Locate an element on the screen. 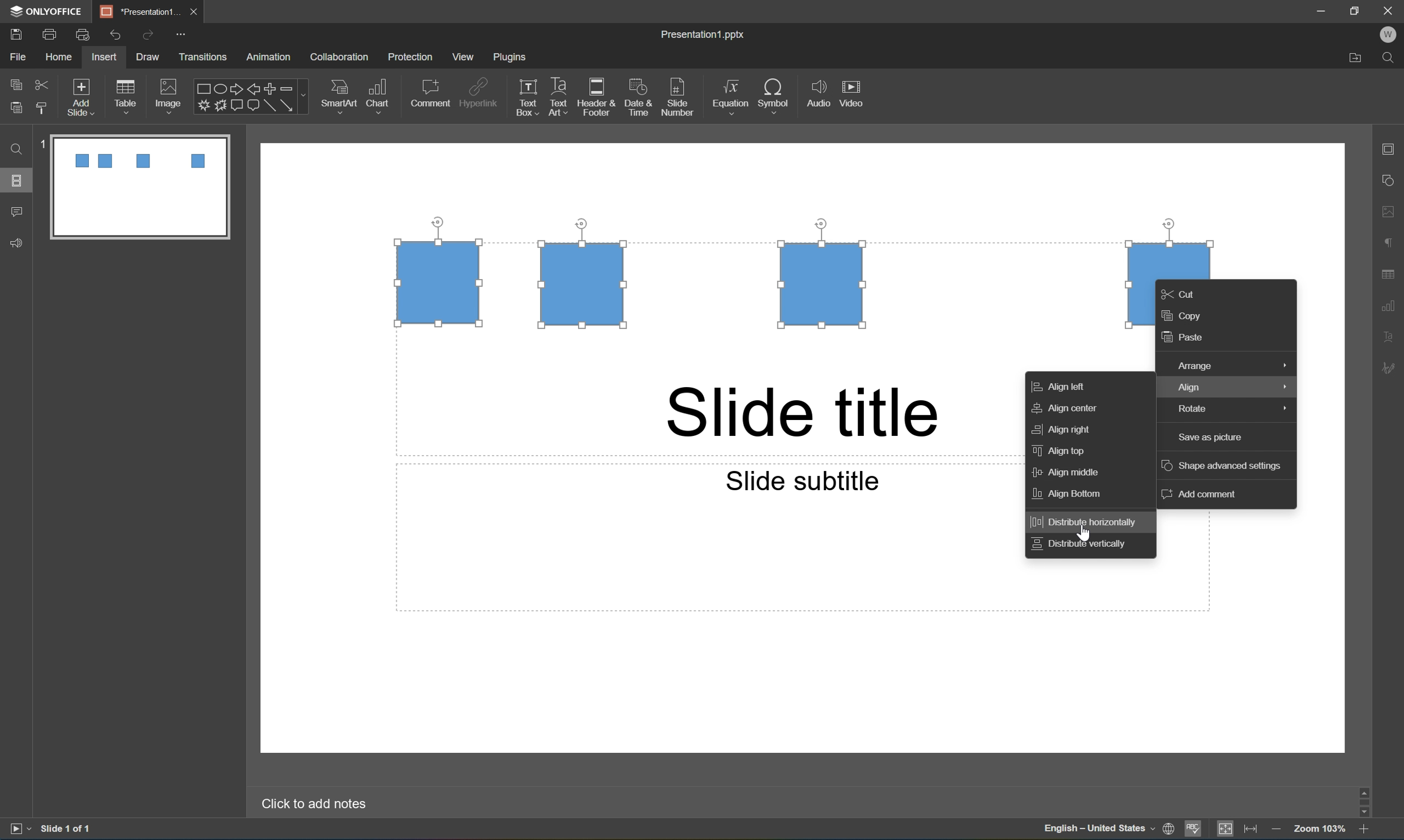  copy is located at coordinates (1188, 316).